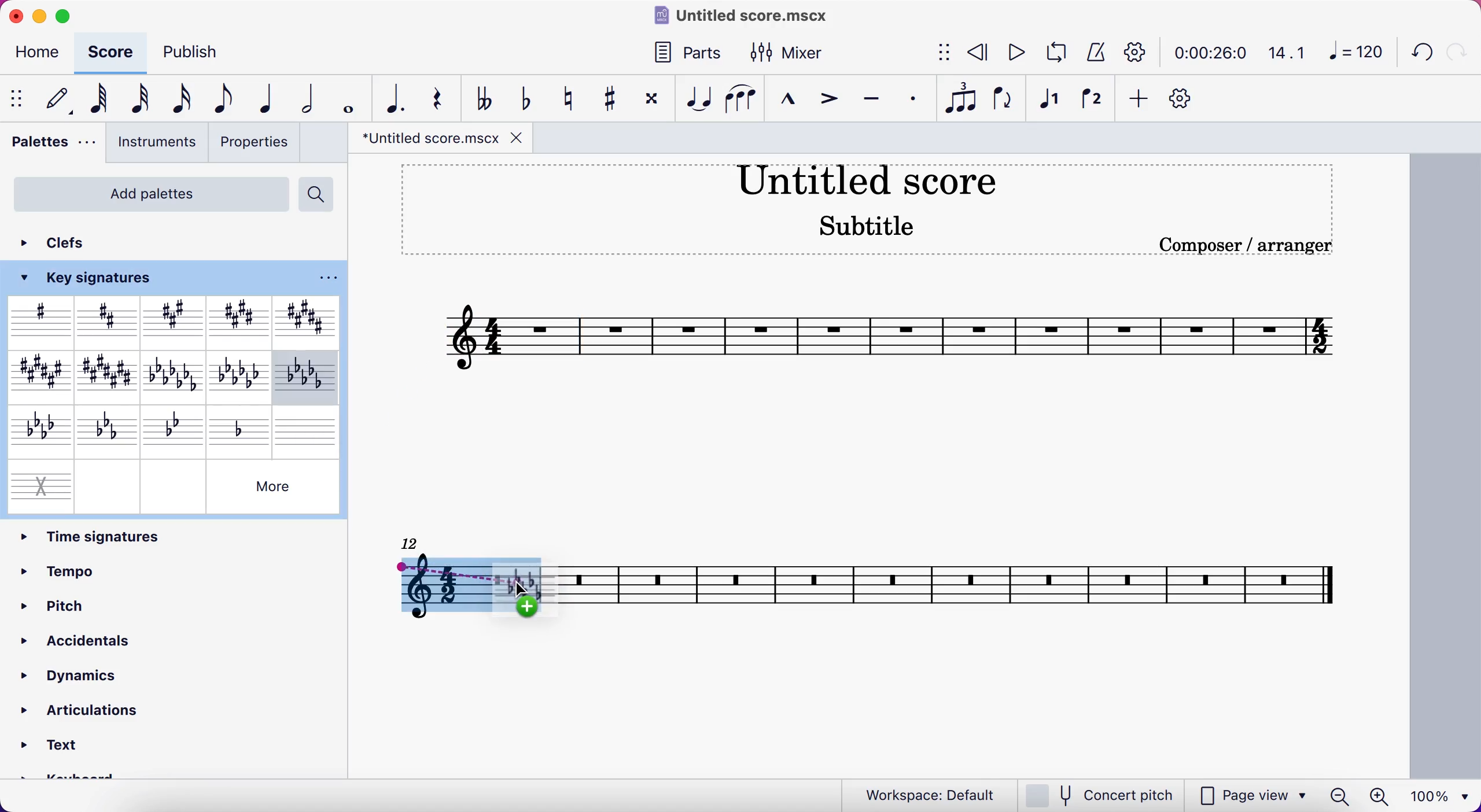  What do you see at coordinates (109, 485) in the screenshot?
I see `empty` at bounding box center [109, 485].